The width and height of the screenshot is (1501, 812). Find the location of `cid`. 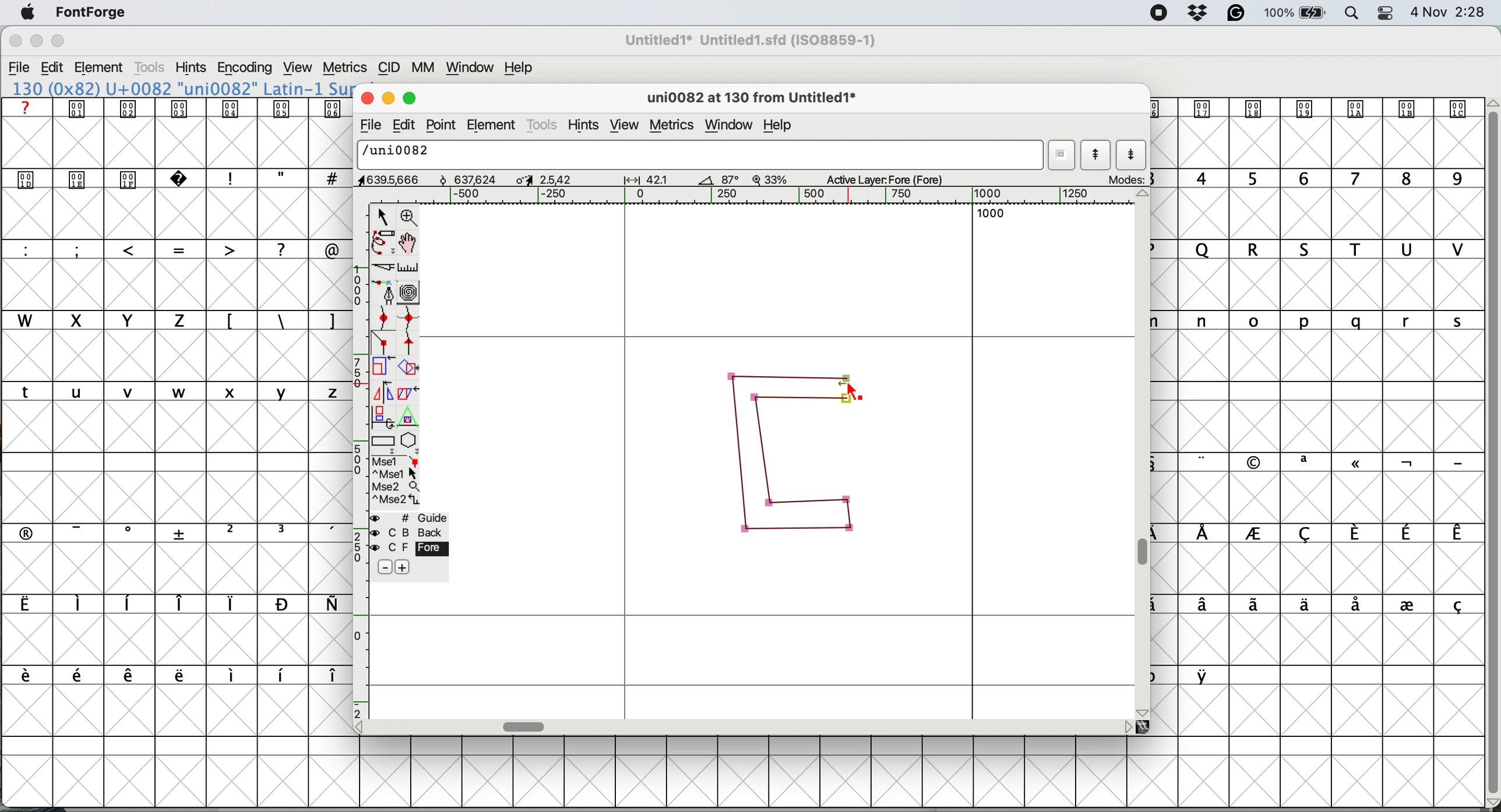

cid is located at coordinates (389, 68).